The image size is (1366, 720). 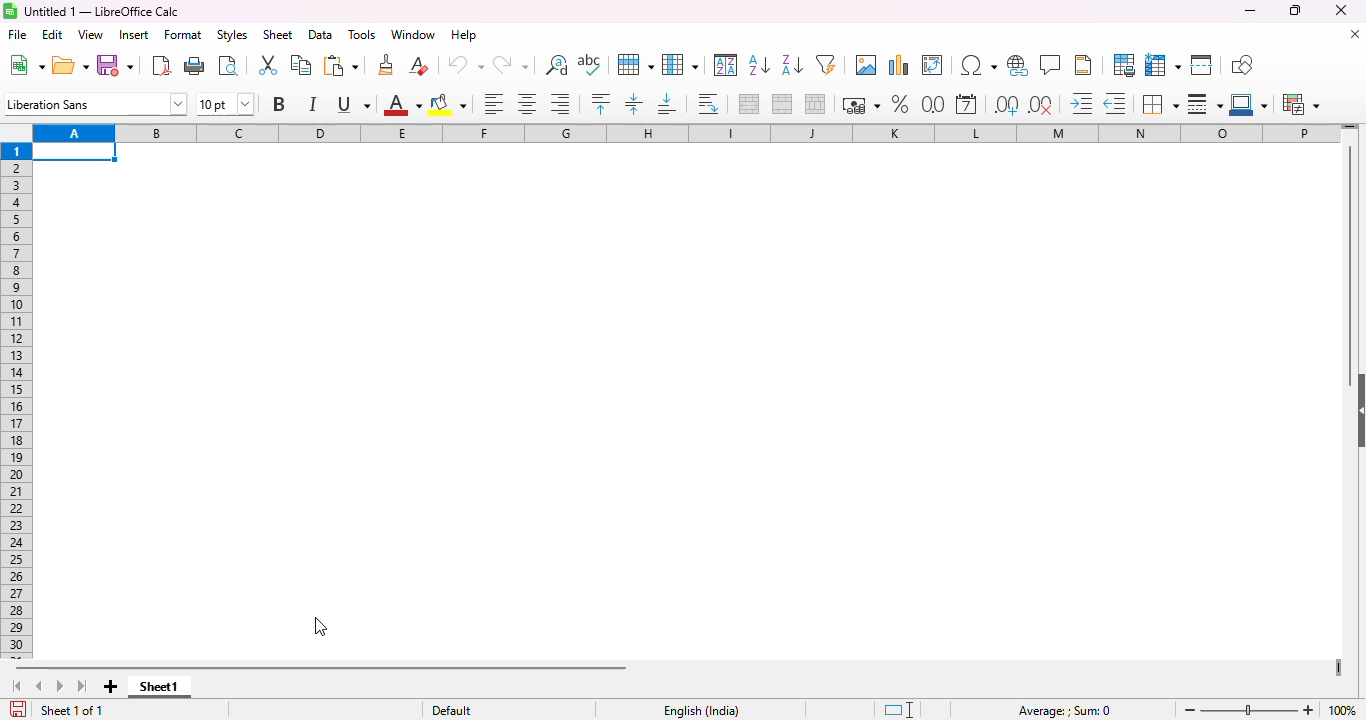 What do you see at coordinates (511, 65) in the screenshot?
I see `redo` at bounding box center [511, 65].